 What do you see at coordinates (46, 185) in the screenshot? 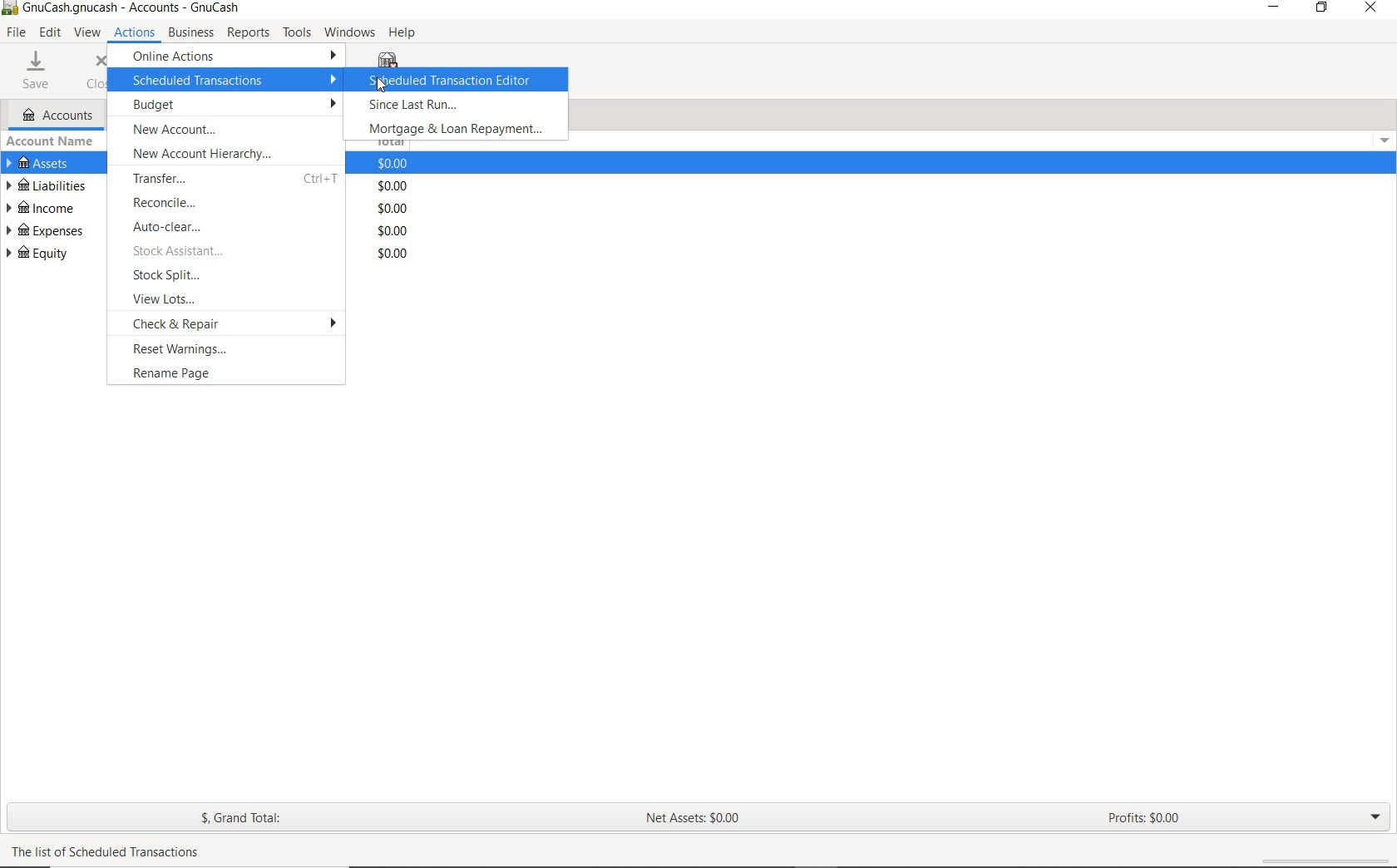
I see `LIABILITIES` at bounding box center [46, 185].